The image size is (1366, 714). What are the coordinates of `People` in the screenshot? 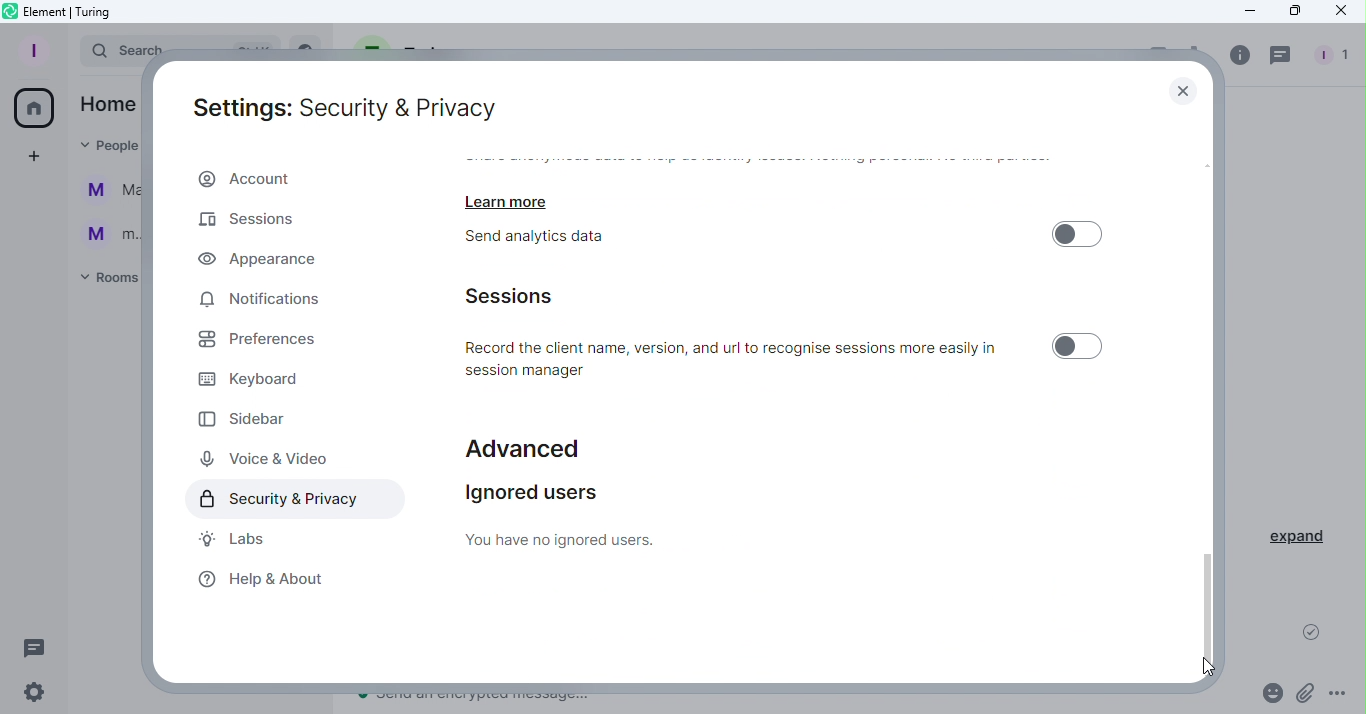 It's located at (101, 145).